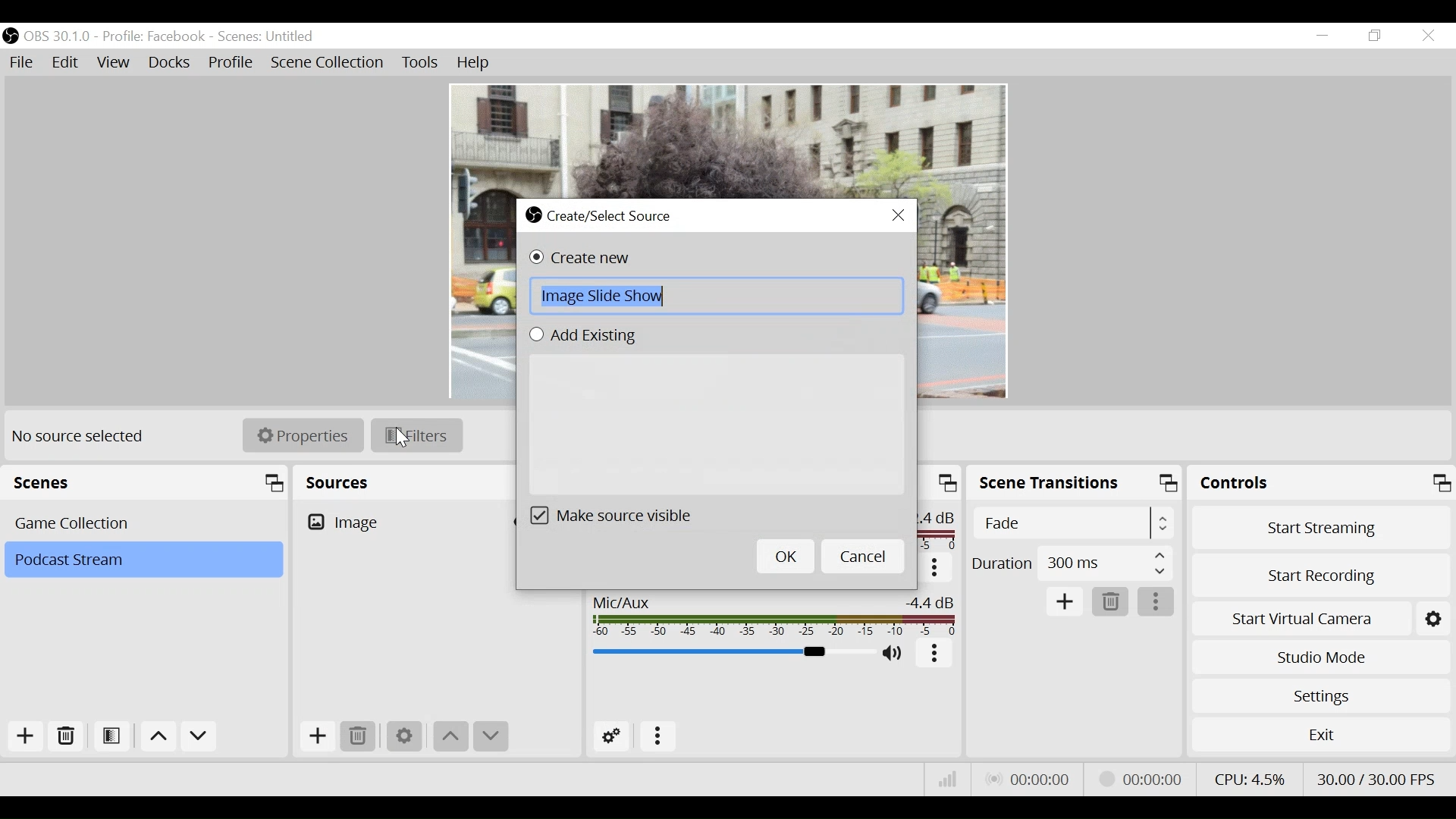 The image size is (1456, 819). Describe the element at coordinates (1427, 36) in the screenshot. I see `Close` at that location.